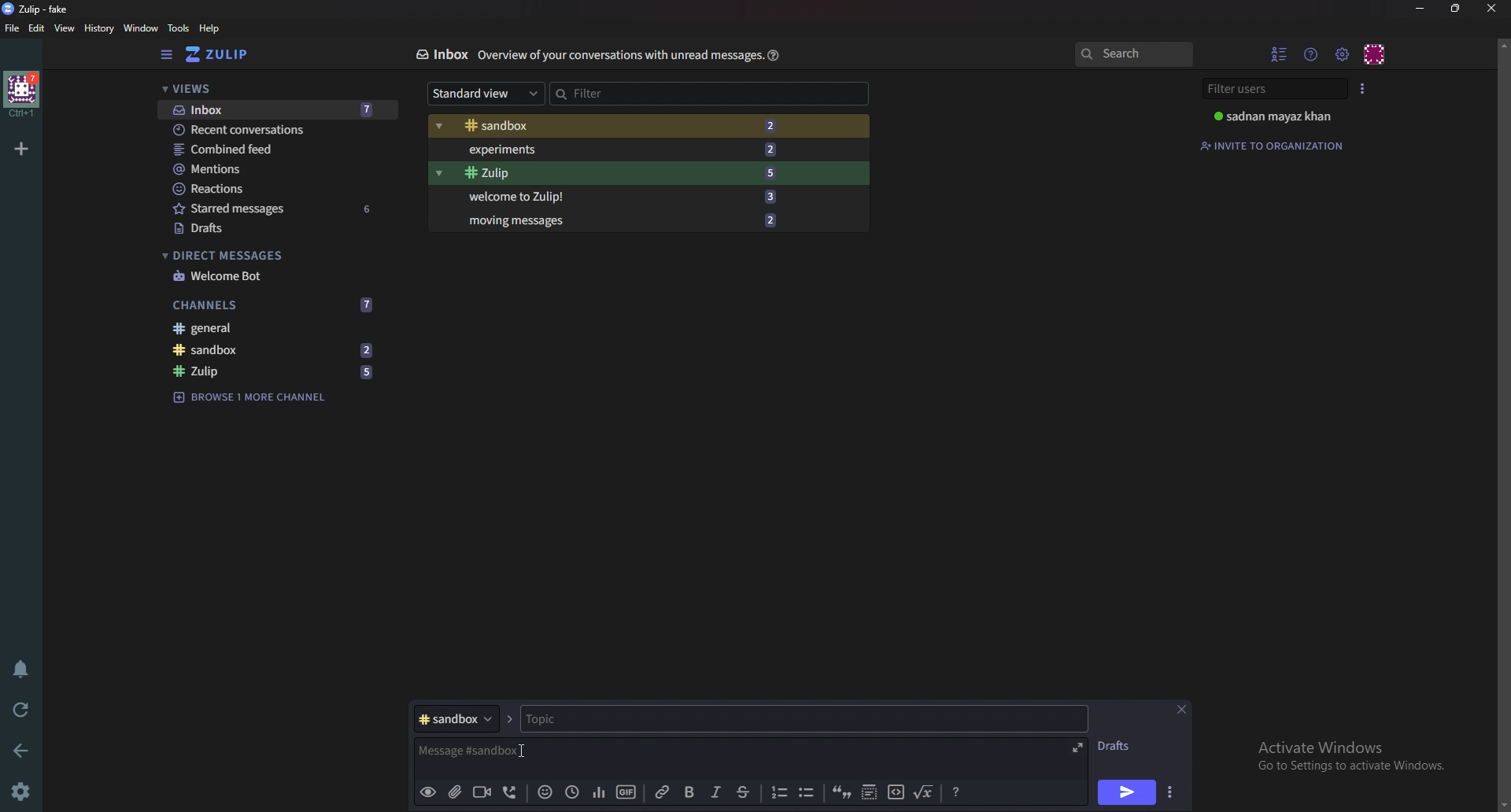  What do you see at coordinates (23, 146) in the screenshot?
I see `Add organization` at bounding box center [23, 146].